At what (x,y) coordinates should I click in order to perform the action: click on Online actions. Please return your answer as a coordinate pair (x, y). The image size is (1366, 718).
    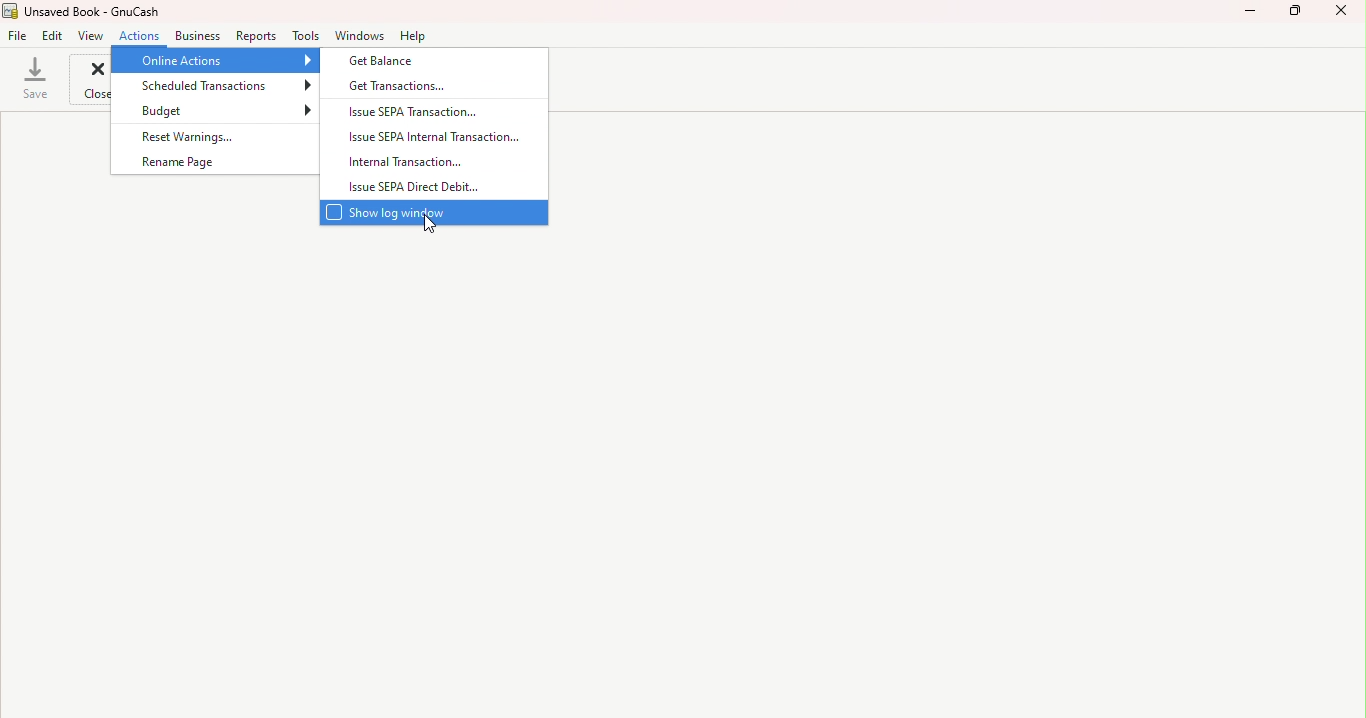
    Looking at the image, I should click on (214, 60).